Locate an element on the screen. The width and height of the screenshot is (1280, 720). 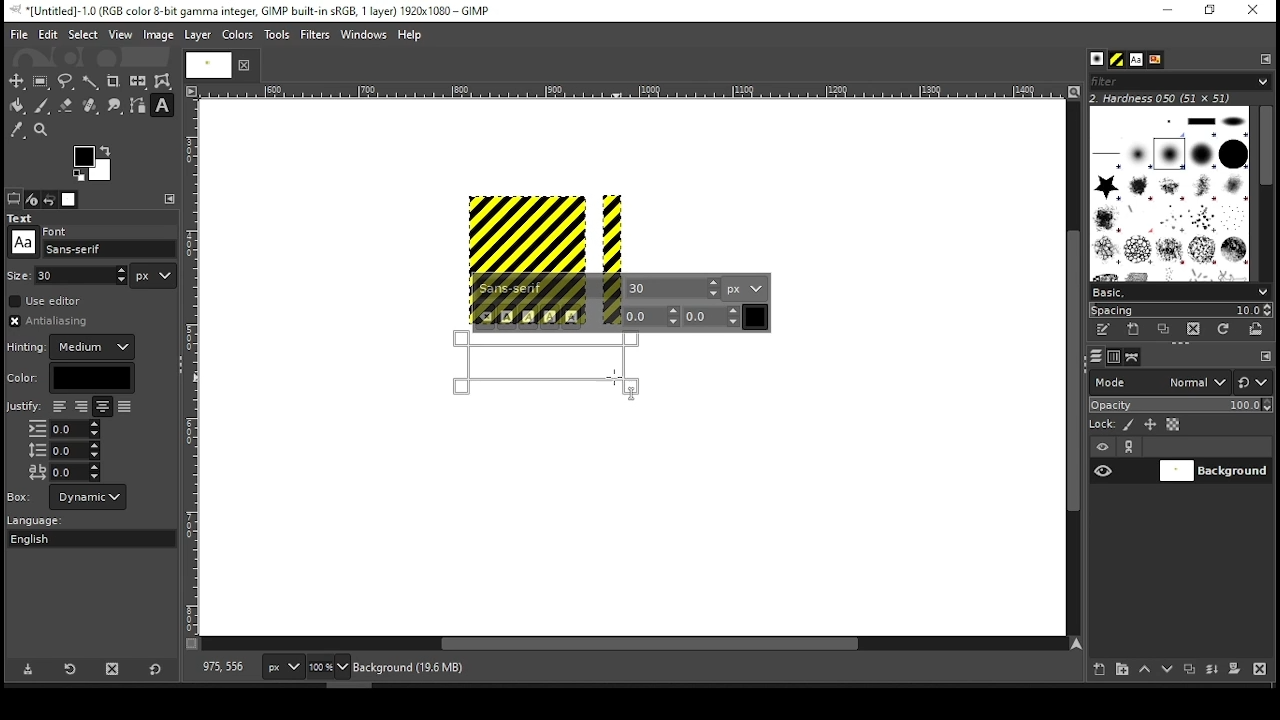
color is located at coordinates (70, 378).